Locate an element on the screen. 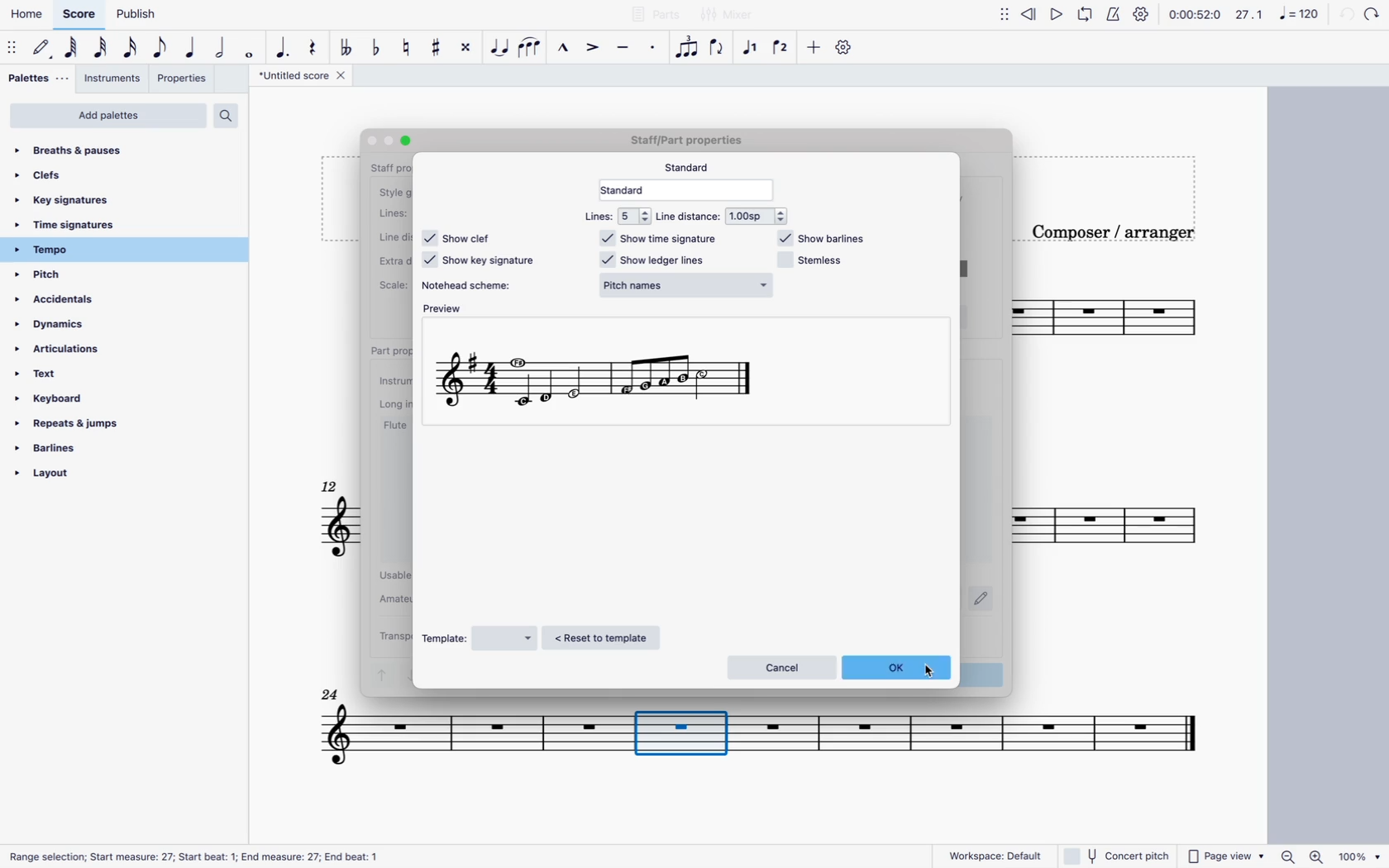 This screenshot has width=1389, height=868. flip direction is located at coordinates (719, 48).